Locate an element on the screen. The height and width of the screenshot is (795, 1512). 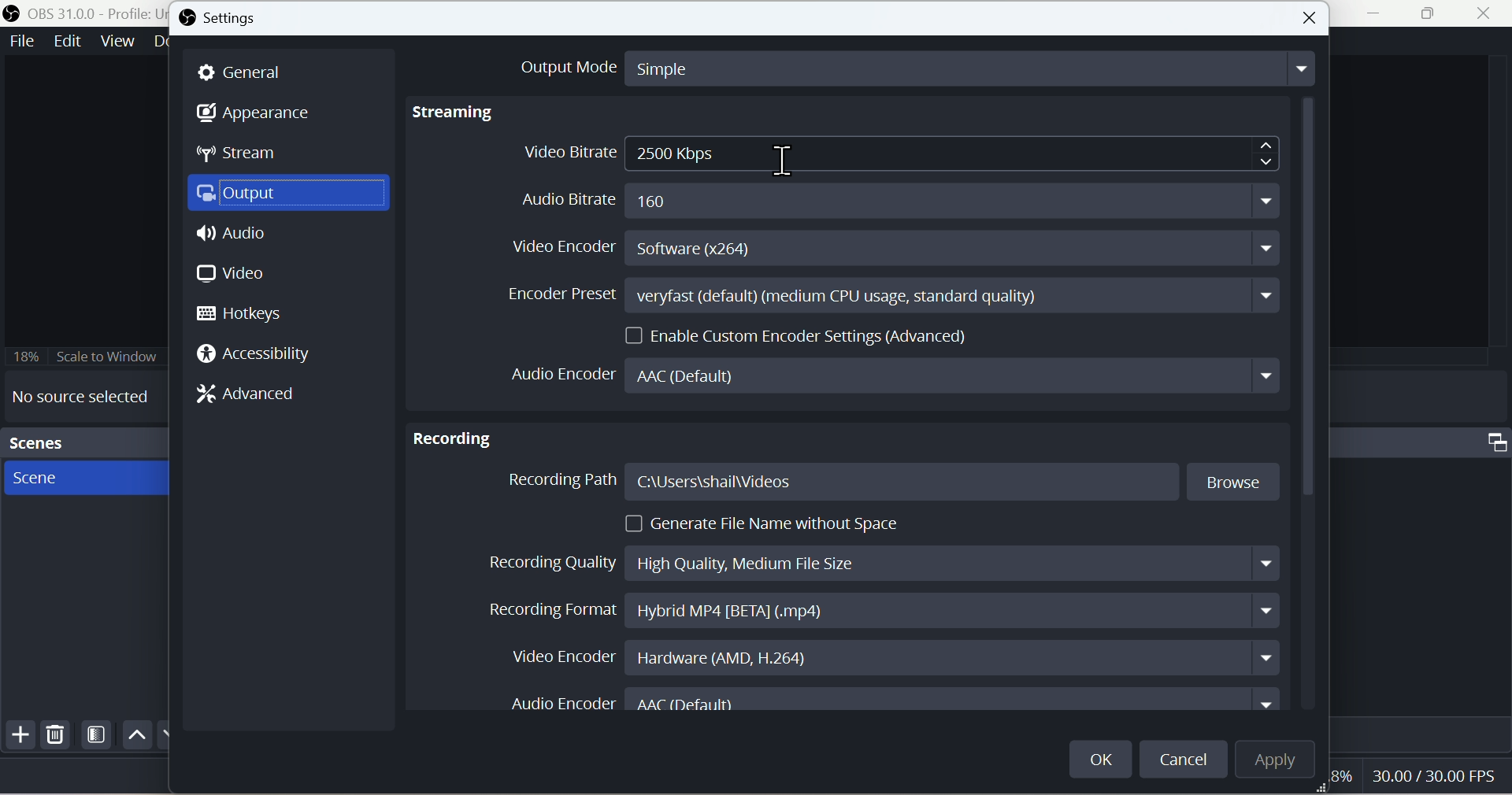
Video Encoder is located at coordinates (886, 656).